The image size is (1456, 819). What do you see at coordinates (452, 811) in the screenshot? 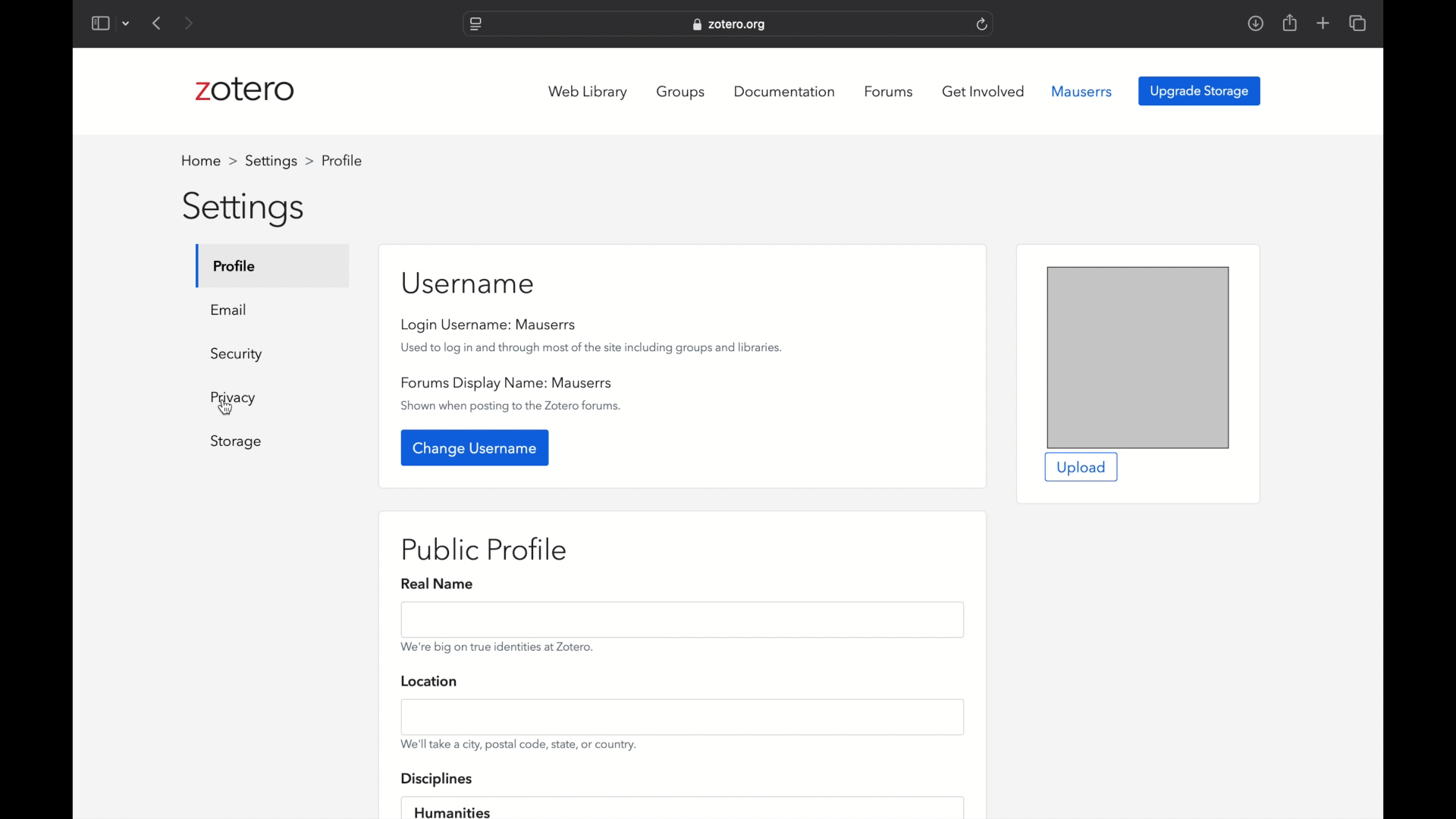
I see `humanities` at bounding box center [452, 811].